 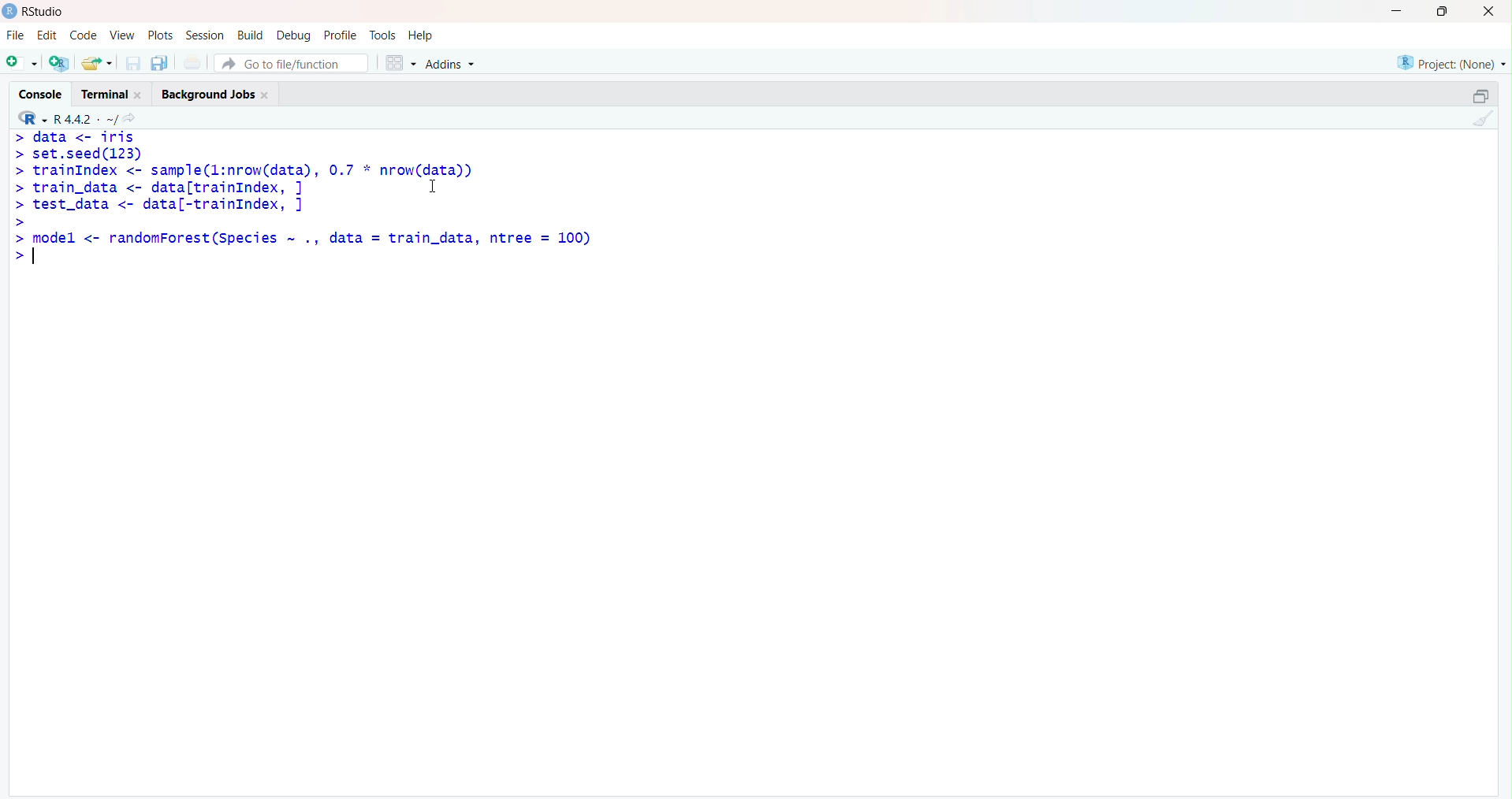 I want to click on File, so click(x=15, y=35).